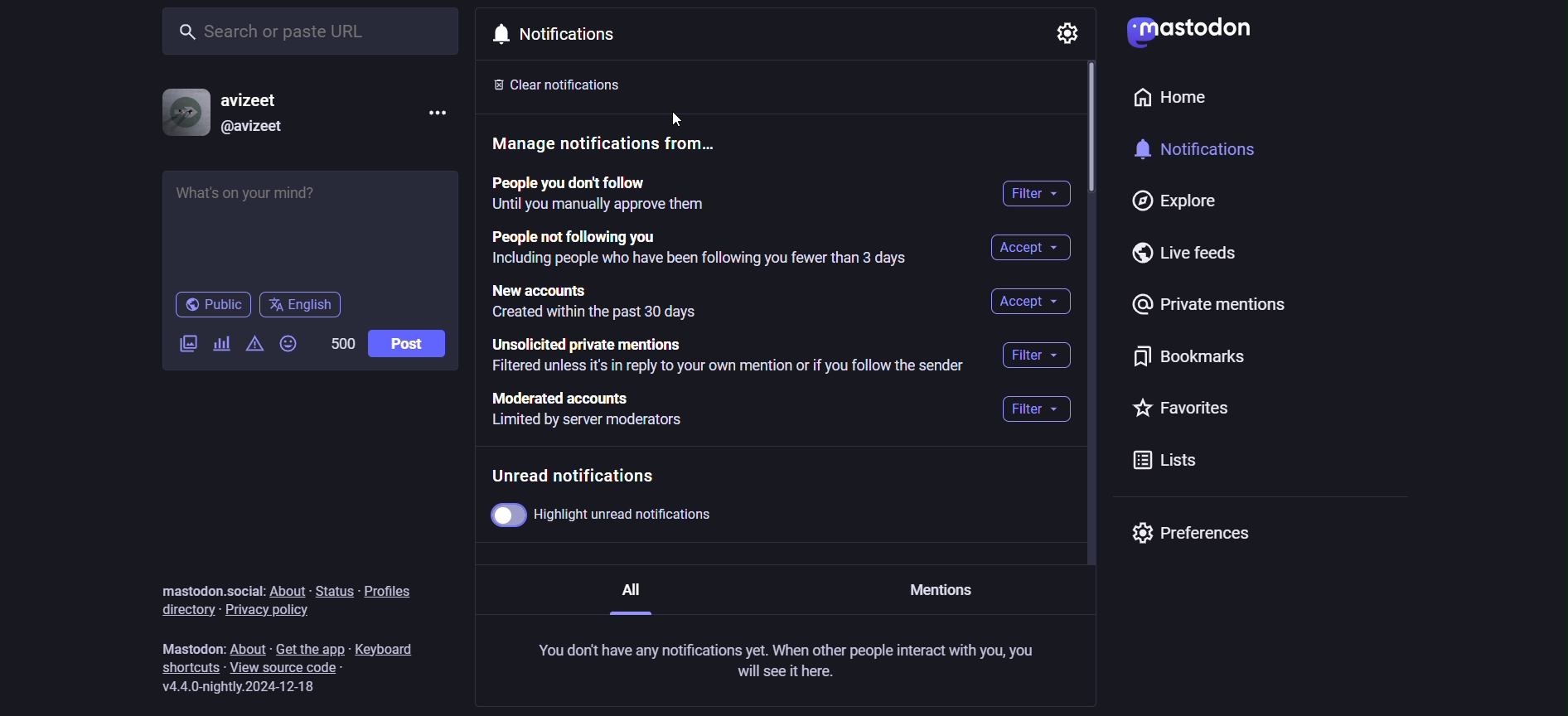  I want to click on clear notification, so click(573, 84).